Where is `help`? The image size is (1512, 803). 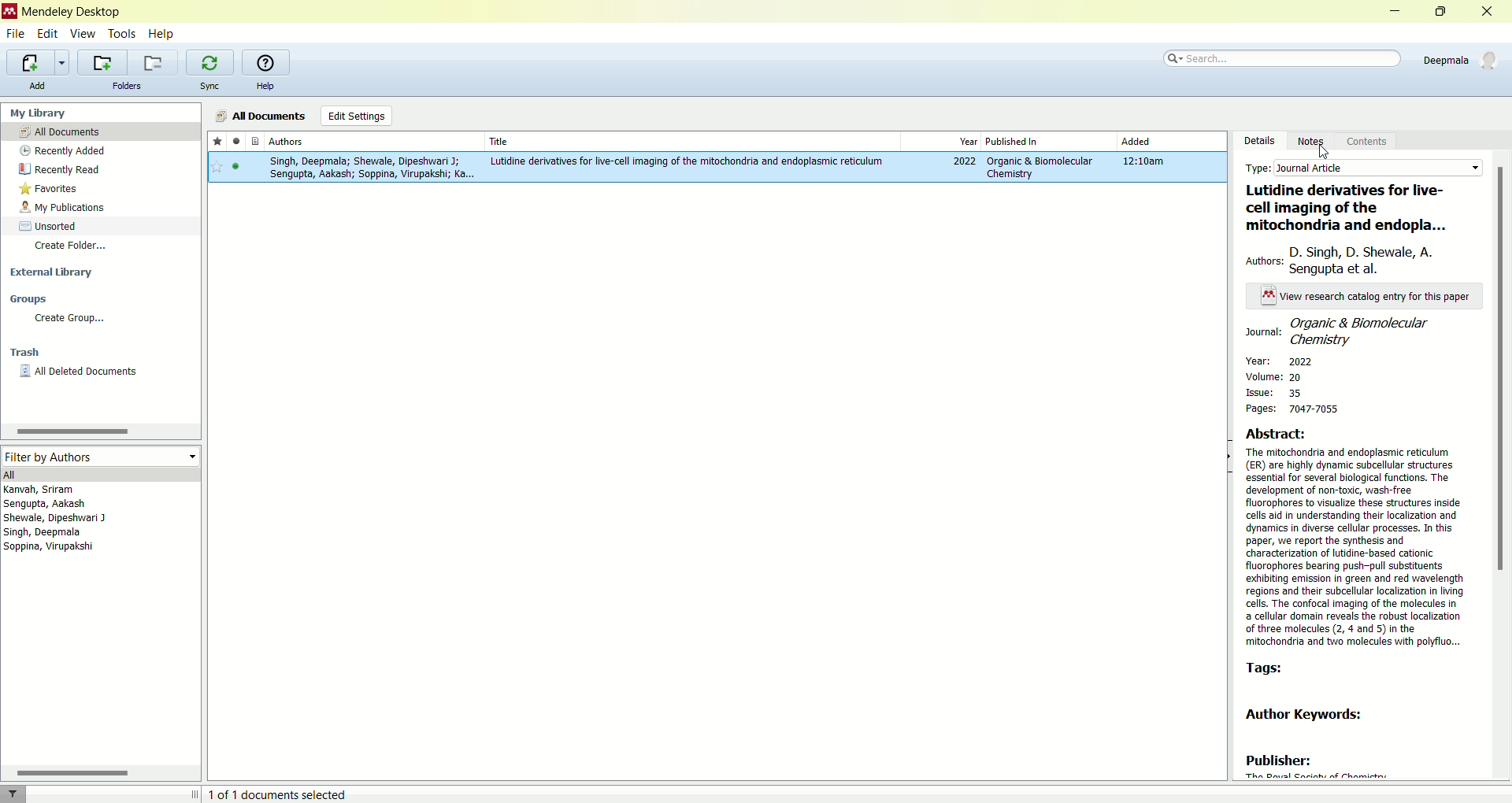 help is located at coordinates (164, 35).